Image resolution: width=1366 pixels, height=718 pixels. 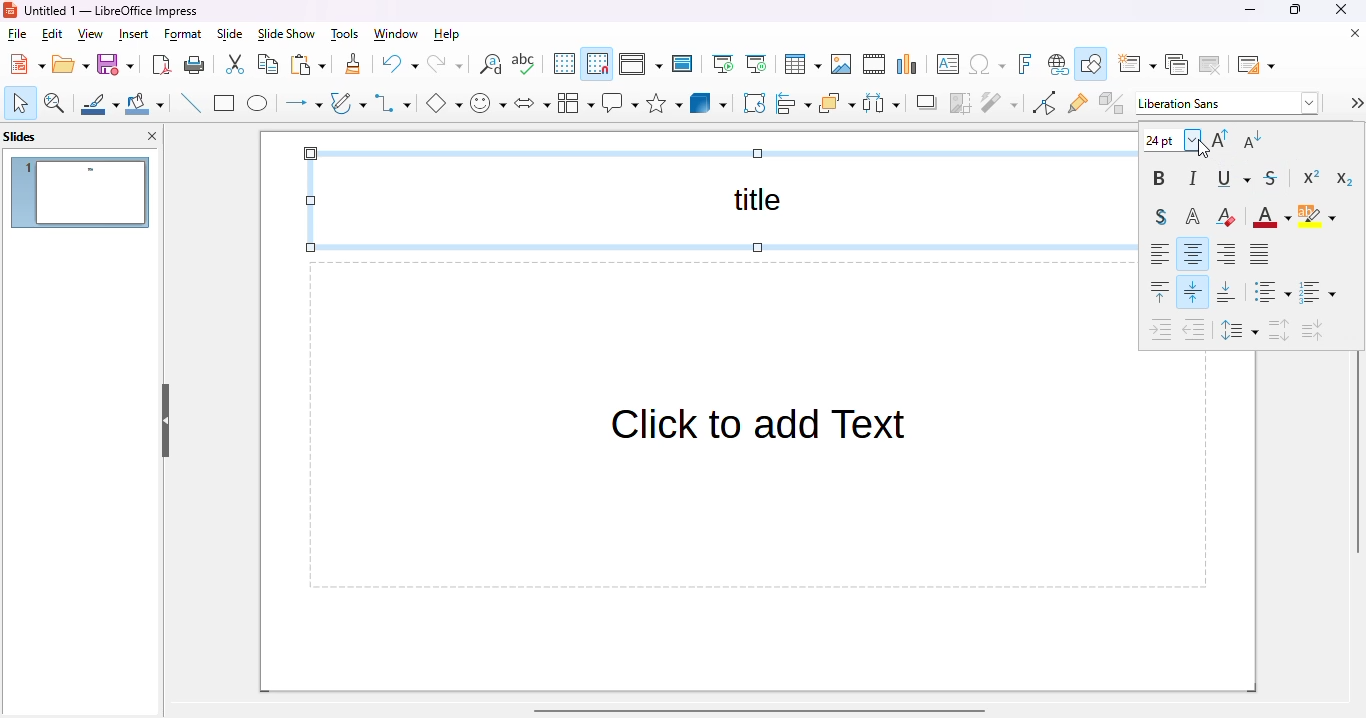 What do you see at coordinates (236, 64) in the screenshot?
I see `cut` at bounding box center [236, 64].